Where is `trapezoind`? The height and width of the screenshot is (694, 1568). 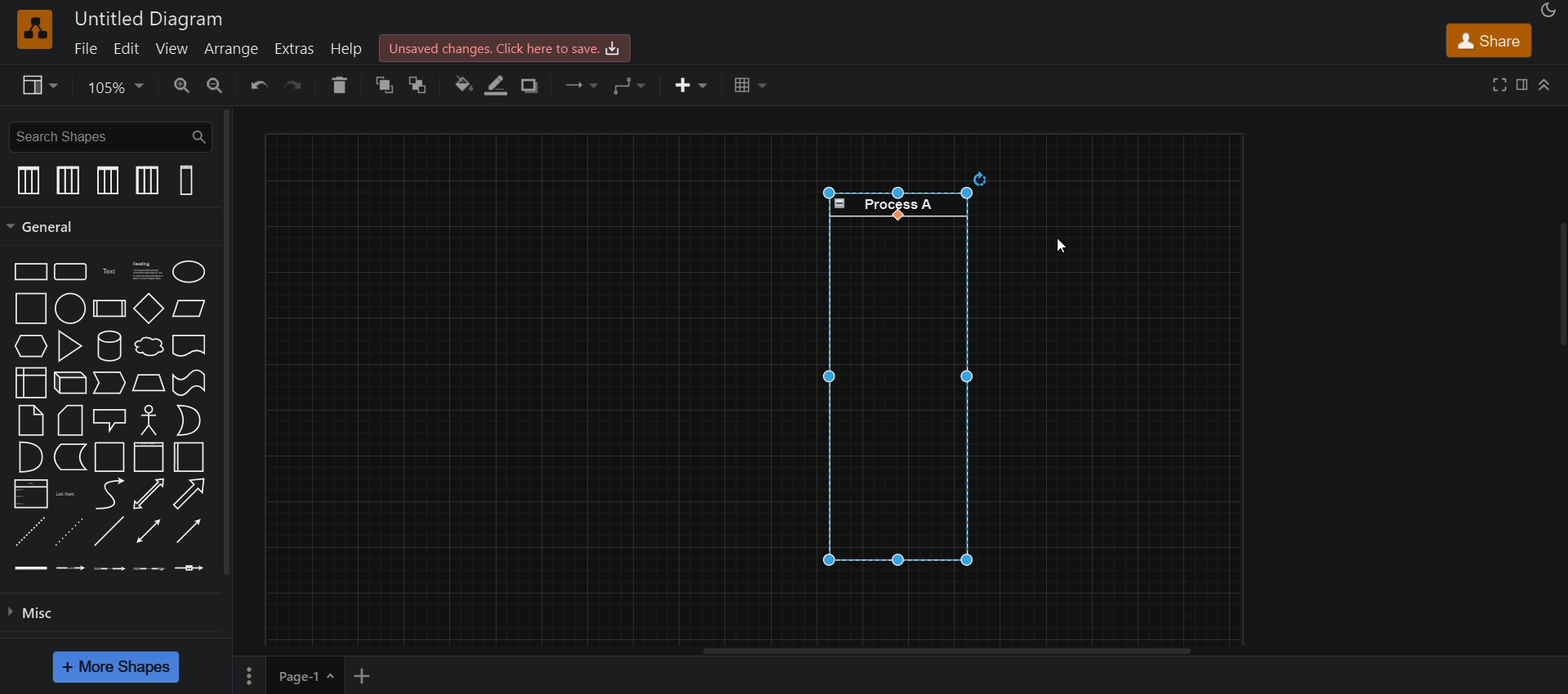
trapezoind is located at coordinates (145, 384).